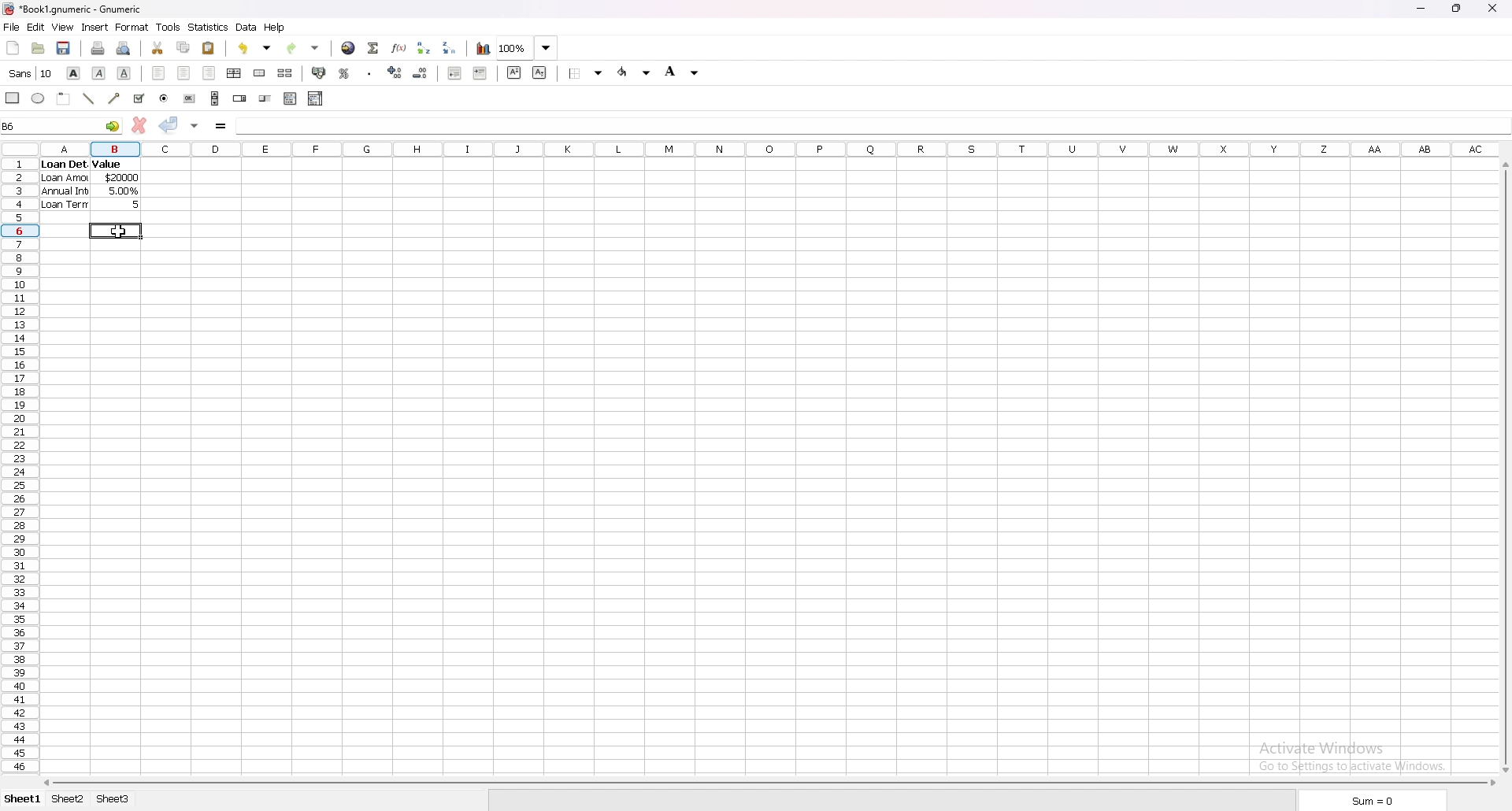 The width and height of the screenshot is (1512, 811). I want to click on sheet 3, so click(114, 800).